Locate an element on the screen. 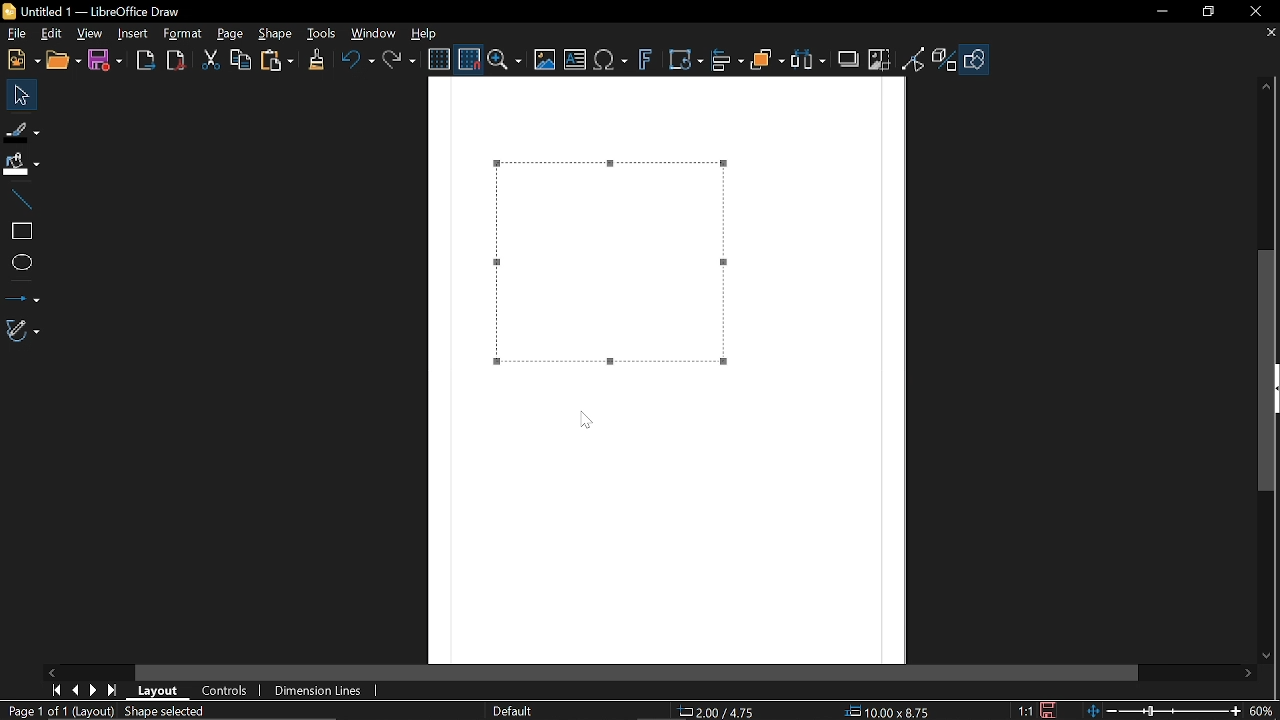  Fill color is located at coordinates (21, 165).